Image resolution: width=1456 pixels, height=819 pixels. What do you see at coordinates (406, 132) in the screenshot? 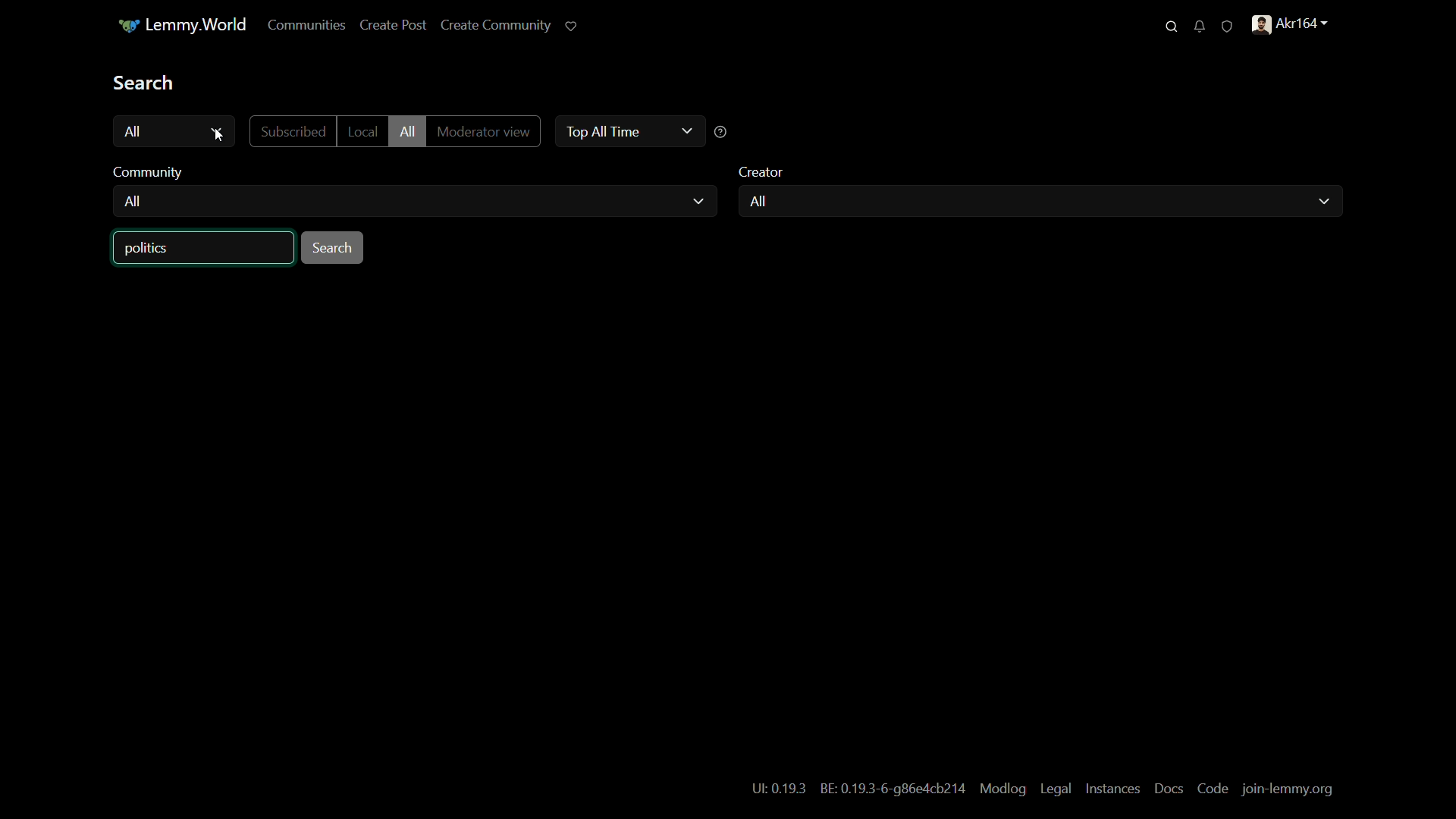
I see `all` at bounding box center [406, 132].